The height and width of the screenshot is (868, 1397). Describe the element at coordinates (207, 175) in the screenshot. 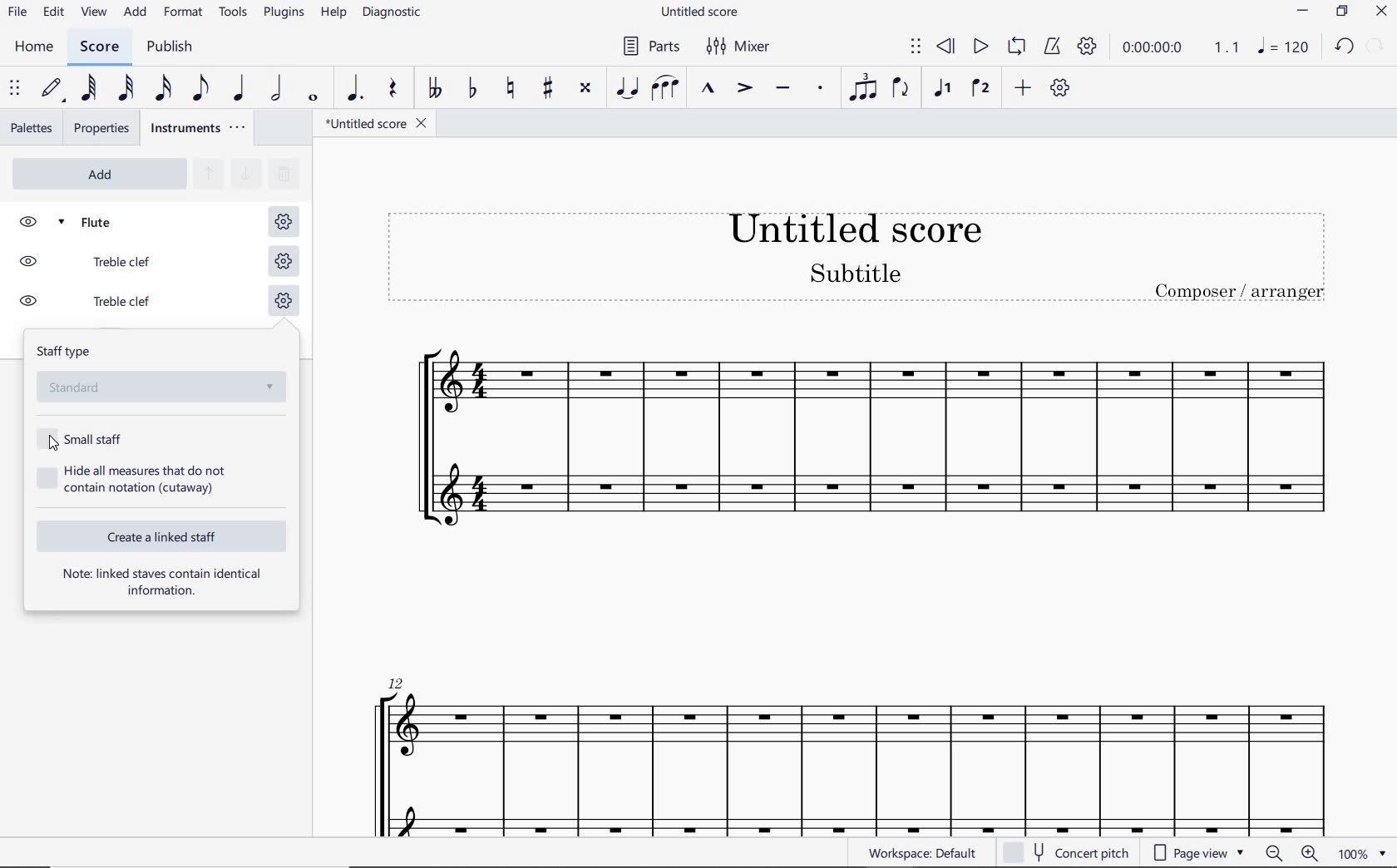

I see `MOVE SELECTED INSTRUMENT UP` at that location.